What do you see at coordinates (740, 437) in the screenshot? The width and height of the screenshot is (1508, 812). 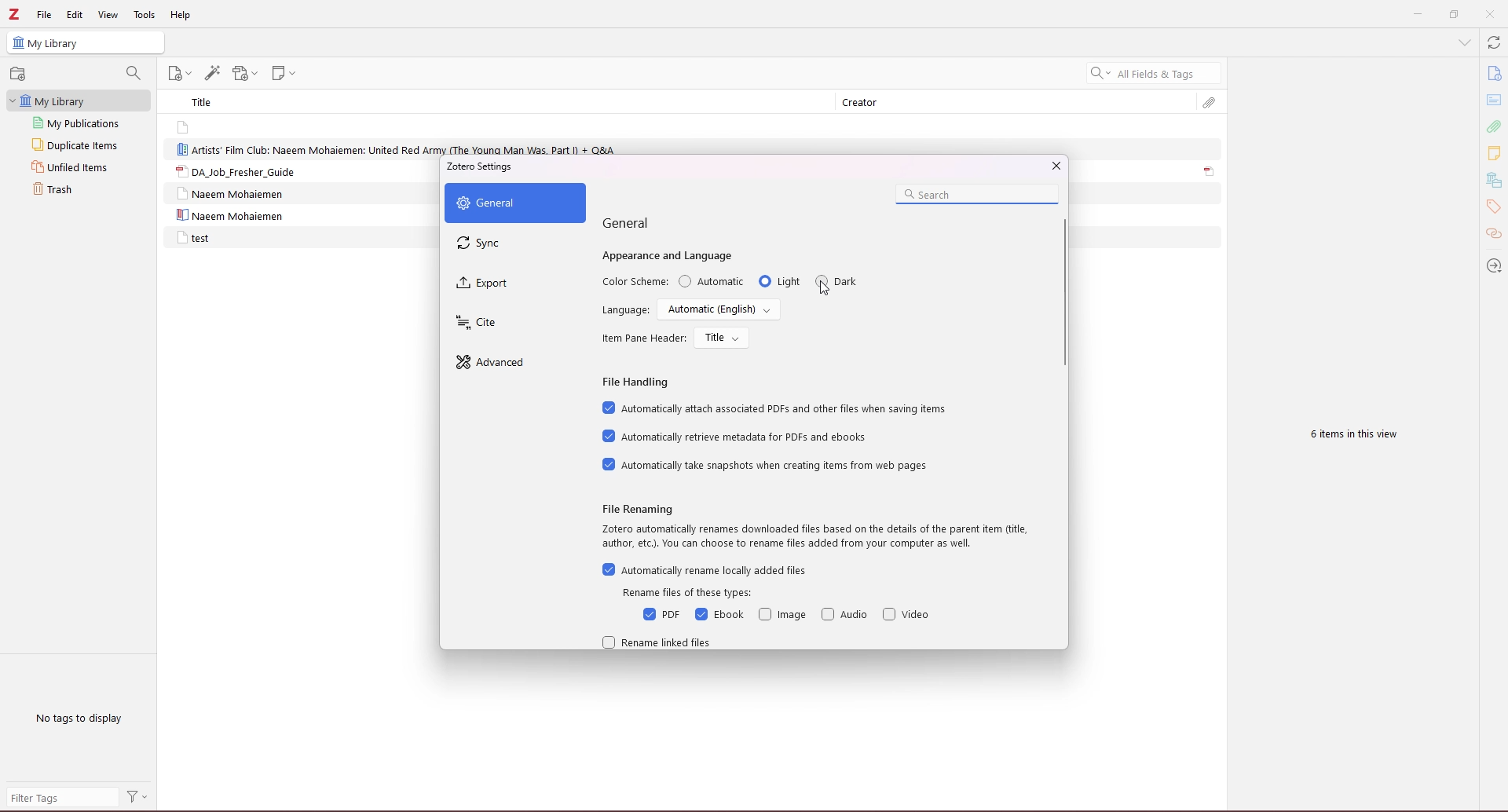 I see `@ Automatically retrieve metadata for PDFs and ebooks` at bounding box center [740, 437].